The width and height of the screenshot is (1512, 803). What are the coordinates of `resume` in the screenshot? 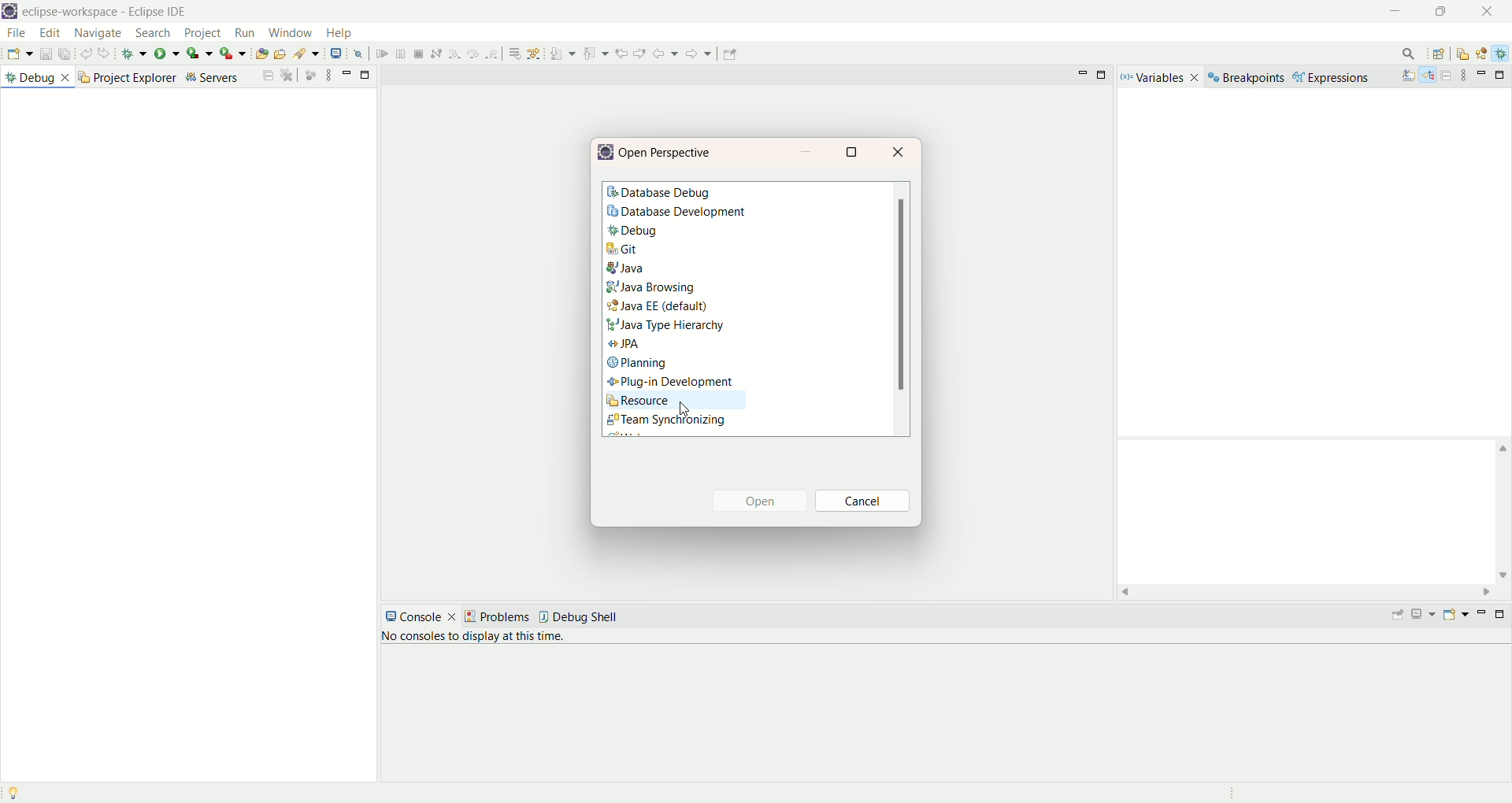 It's located at (495, 54).